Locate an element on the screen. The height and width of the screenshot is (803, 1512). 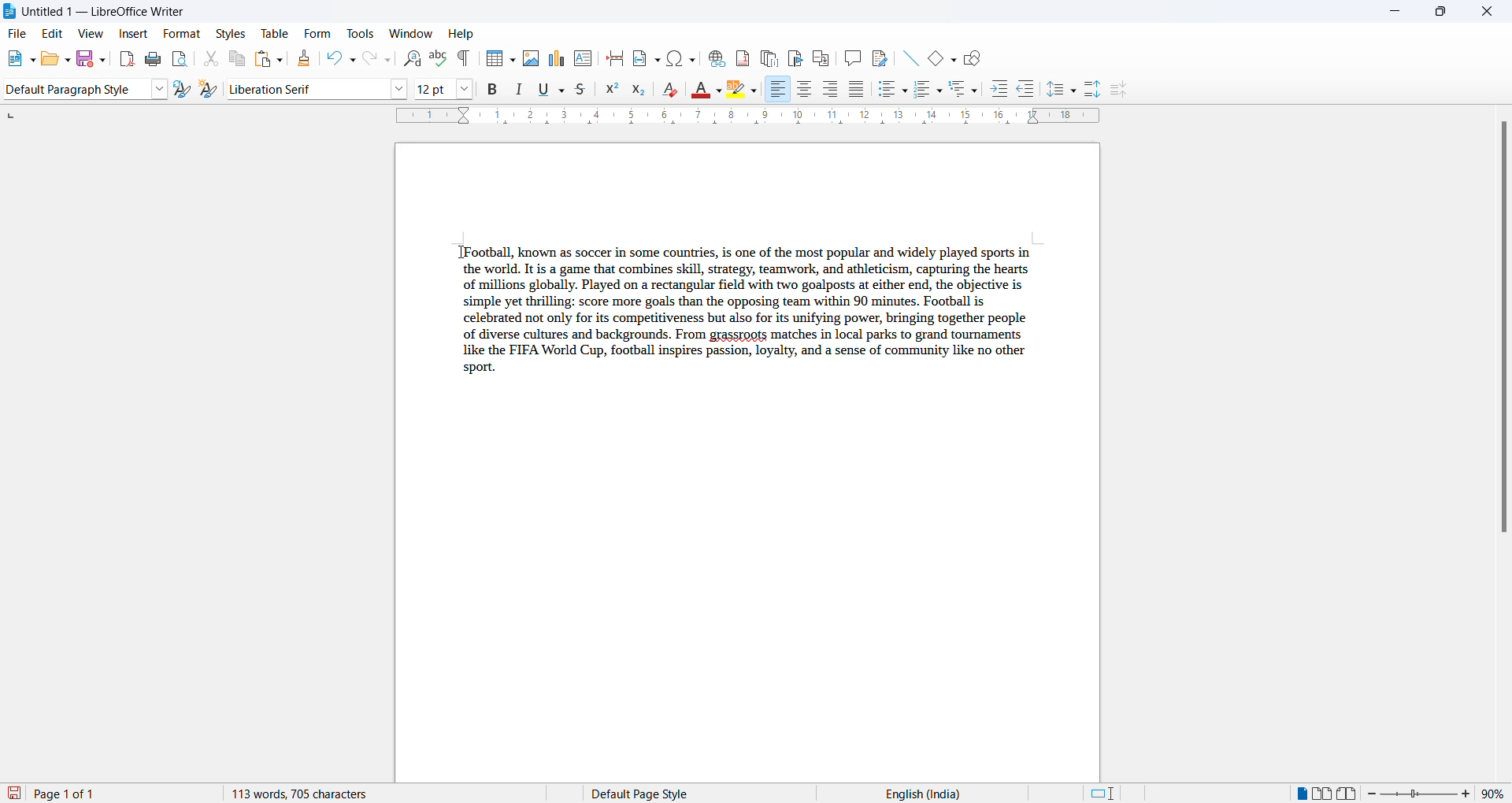
single page view is located at coordinates (1297, 794).